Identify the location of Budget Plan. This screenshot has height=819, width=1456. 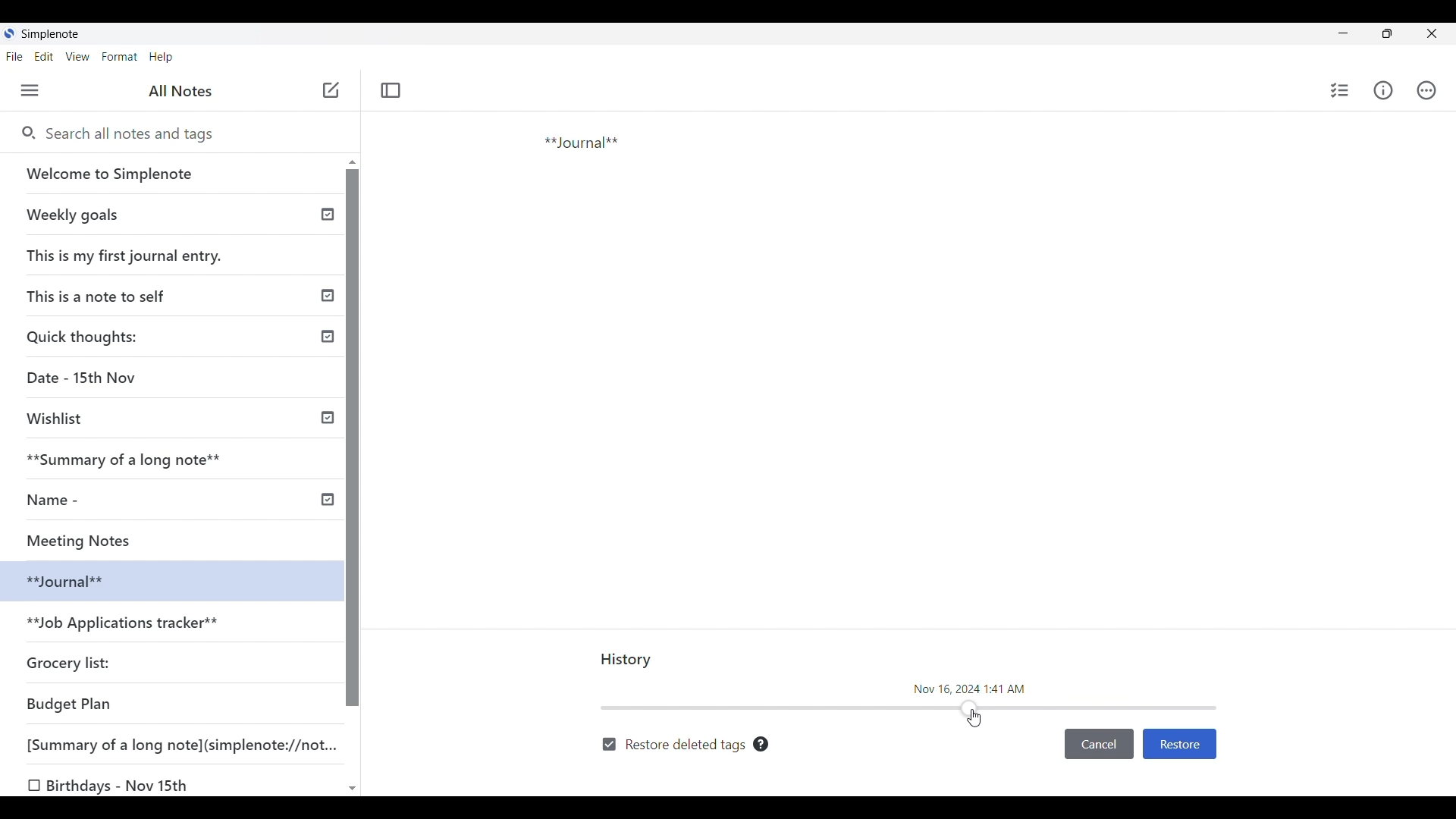
(70, 704).